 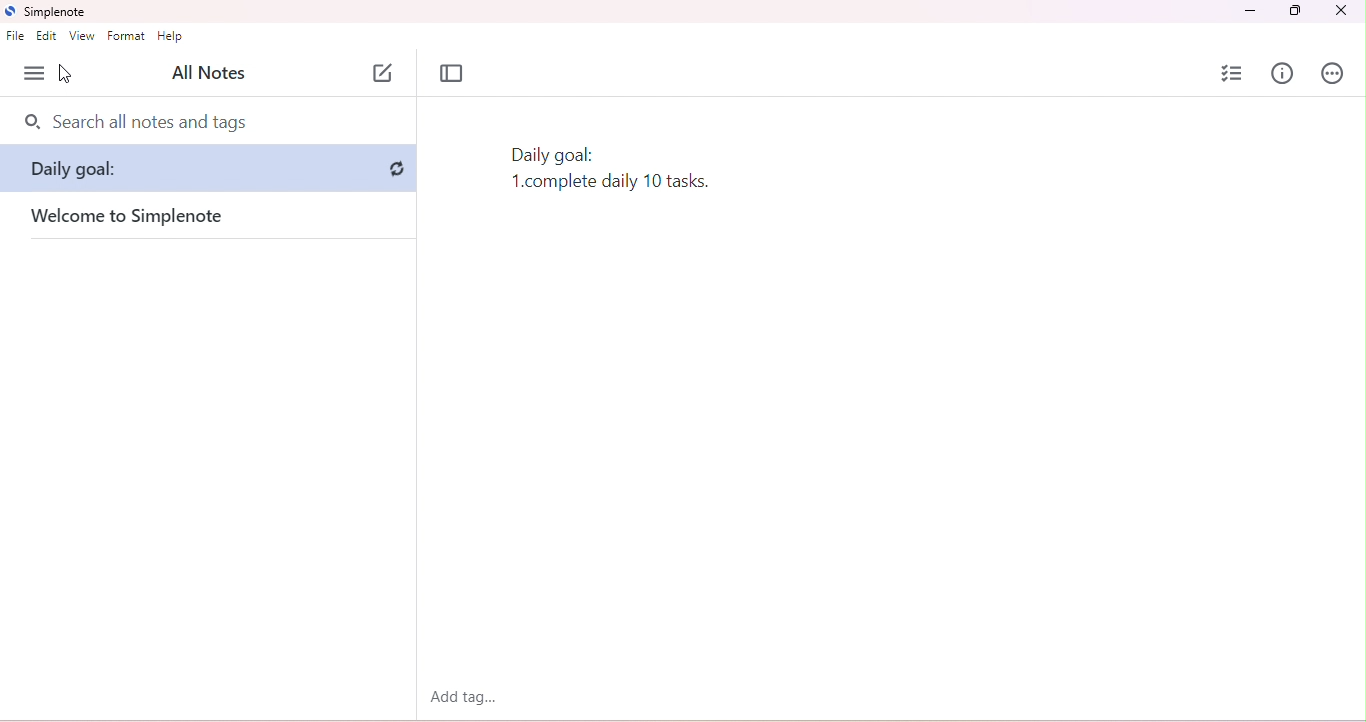 What do you see at coordinates (16, 36) in the screenshot?
I see `file` at bounding box center [16, 36].